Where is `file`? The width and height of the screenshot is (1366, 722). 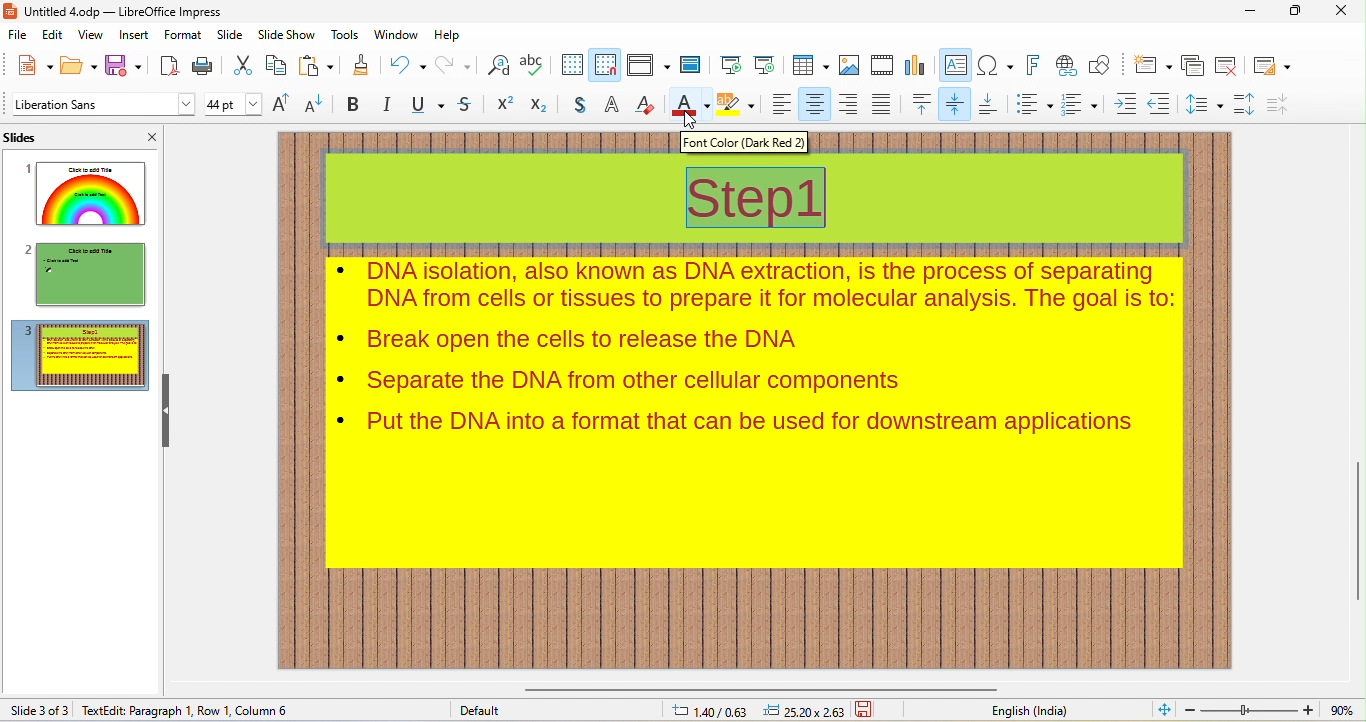
file is located at coordinates (19, 35).